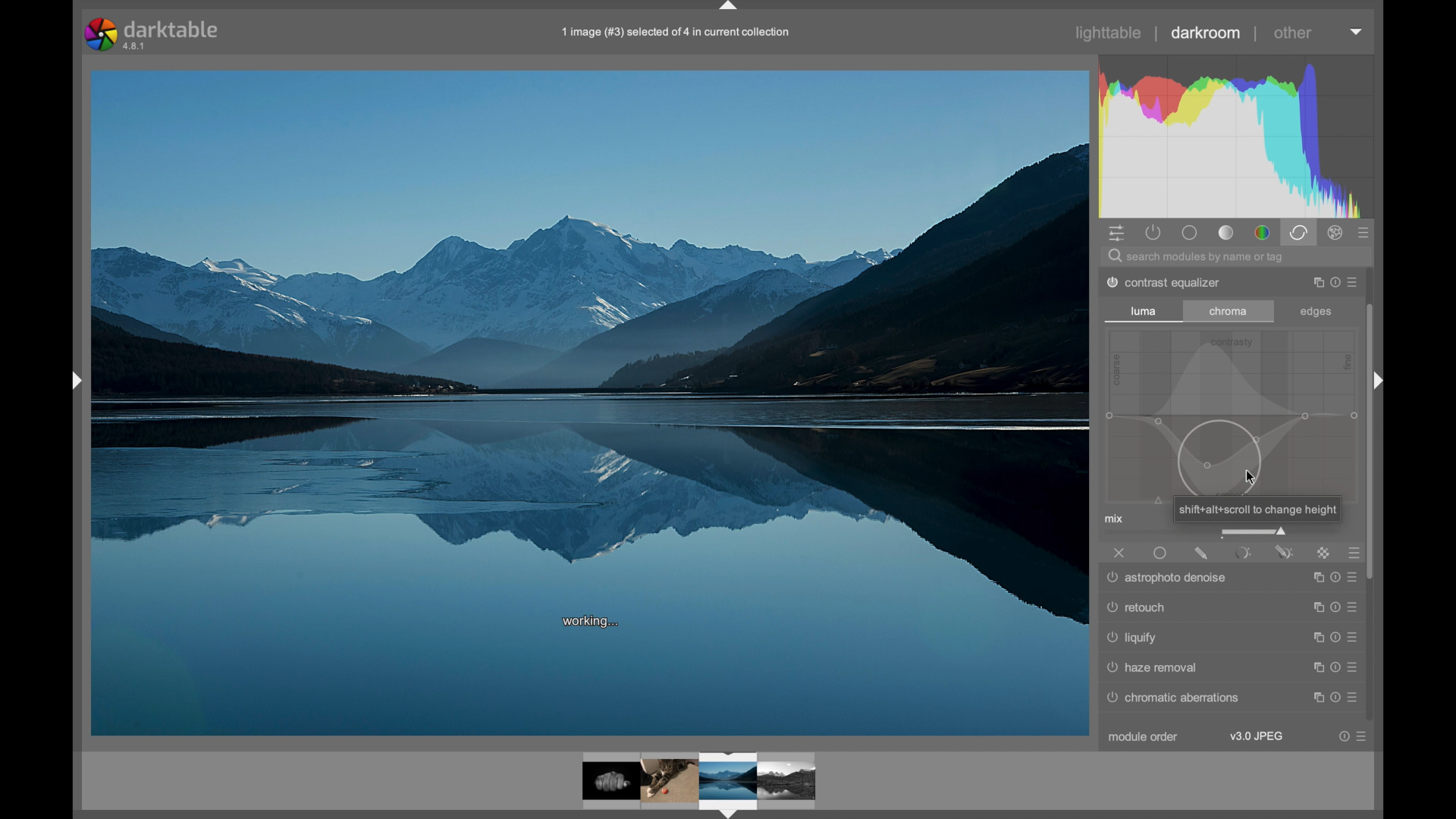 Image resolution: width=1456 pixels, height=819 pixels. Describe the element at coordinates (1284, 552) in the screenshot. I see `parametric and drawn mask` at that location.